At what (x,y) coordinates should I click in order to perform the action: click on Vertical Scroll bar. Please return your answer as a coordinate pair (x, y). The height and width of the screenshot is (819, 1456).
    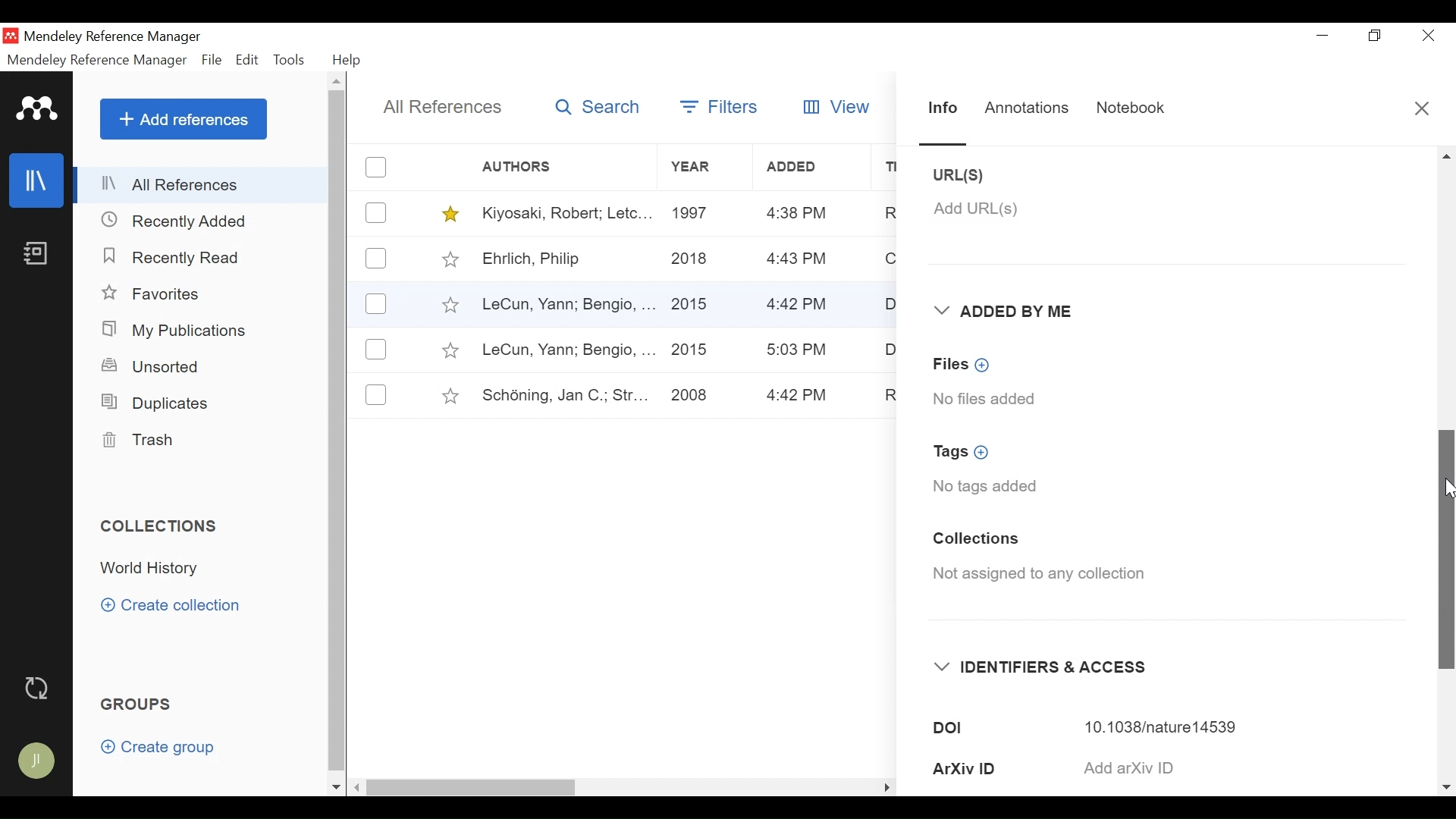
    Looking at the image, I should click on (340, 434).